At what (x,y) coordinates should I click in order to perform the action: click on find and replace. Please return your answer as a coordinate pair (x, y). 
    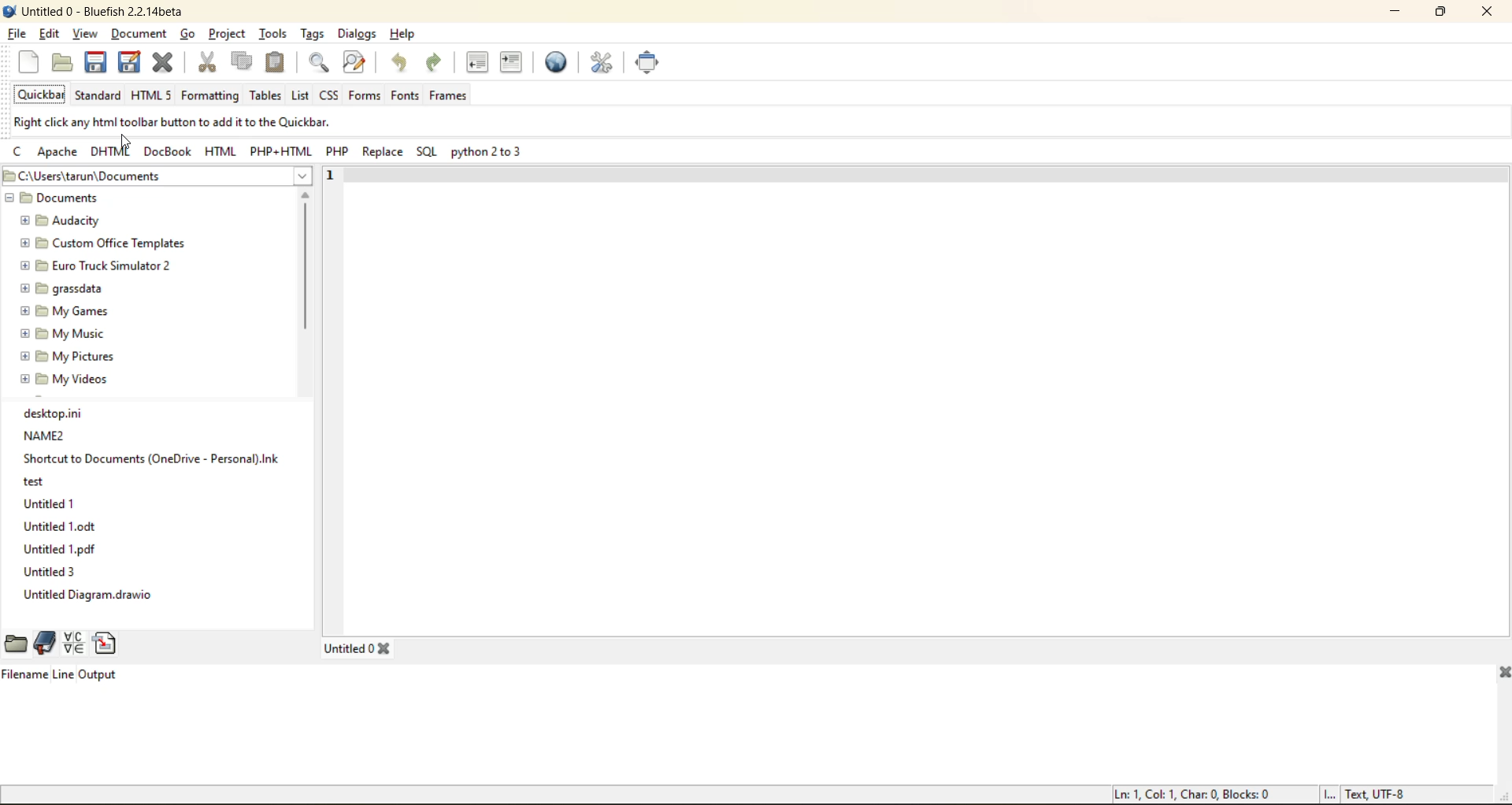
    Looking at the image, I should click on (359, 65).